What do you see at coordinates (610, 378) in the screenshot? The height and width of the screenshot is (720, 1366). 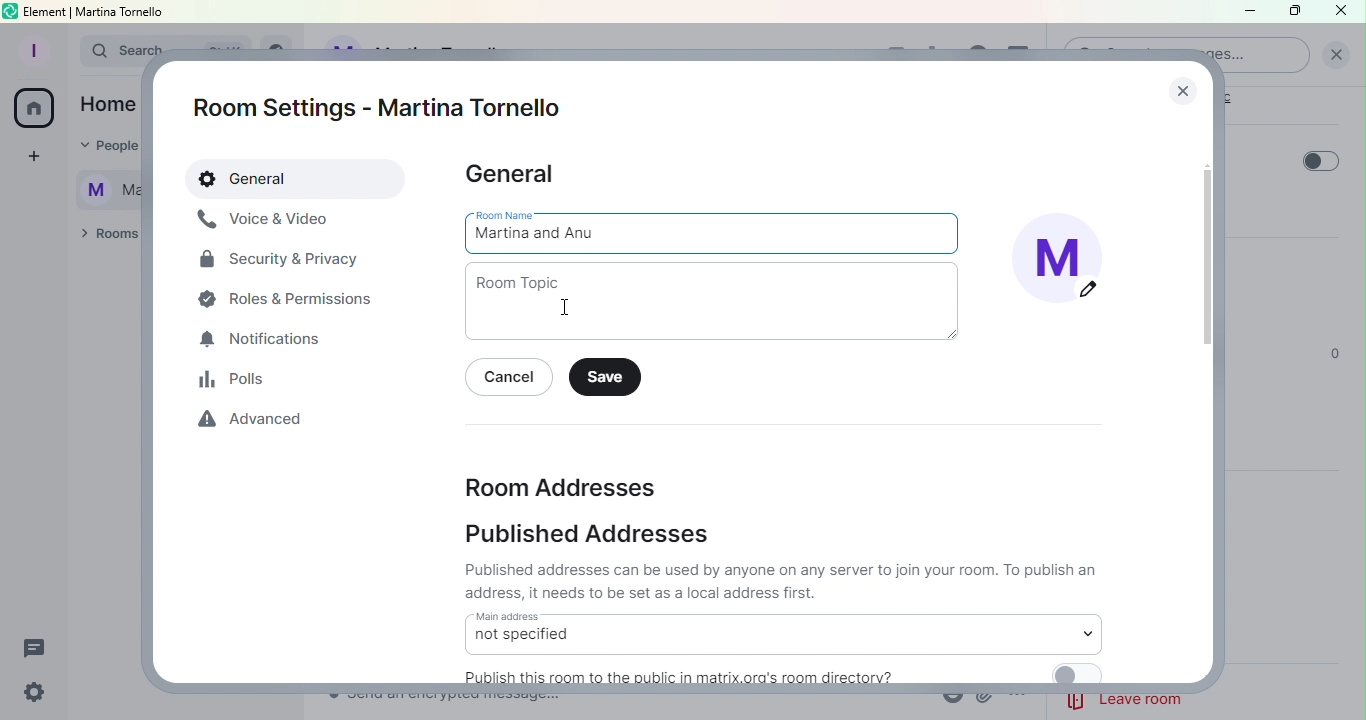 I see `Save` at bounding box center [610, 378].